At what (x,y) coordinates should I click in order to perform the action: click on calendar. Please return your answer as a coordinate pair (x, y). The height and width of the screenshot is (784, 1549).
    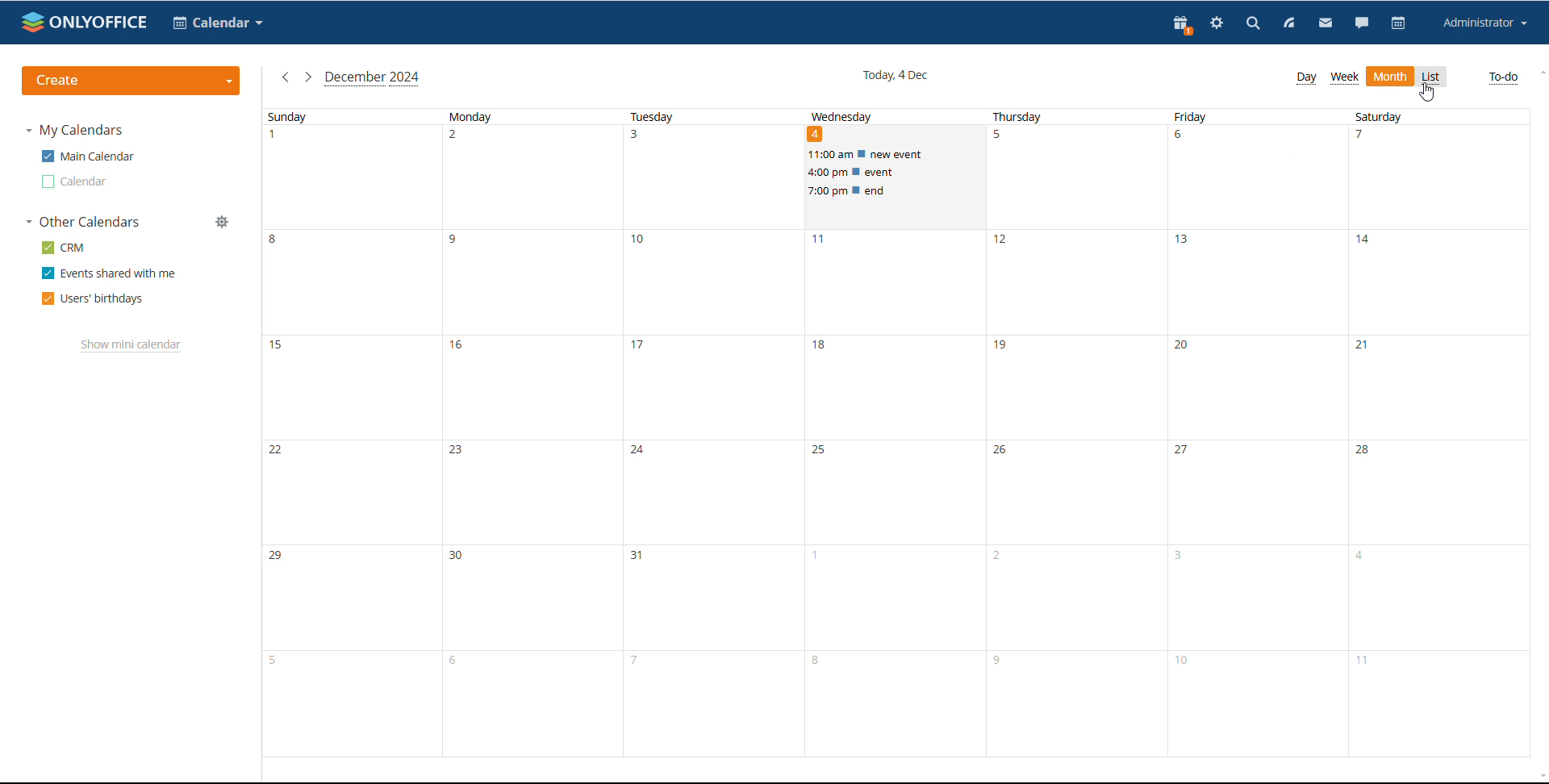
    Looking at the image, I should click on (74, 181).